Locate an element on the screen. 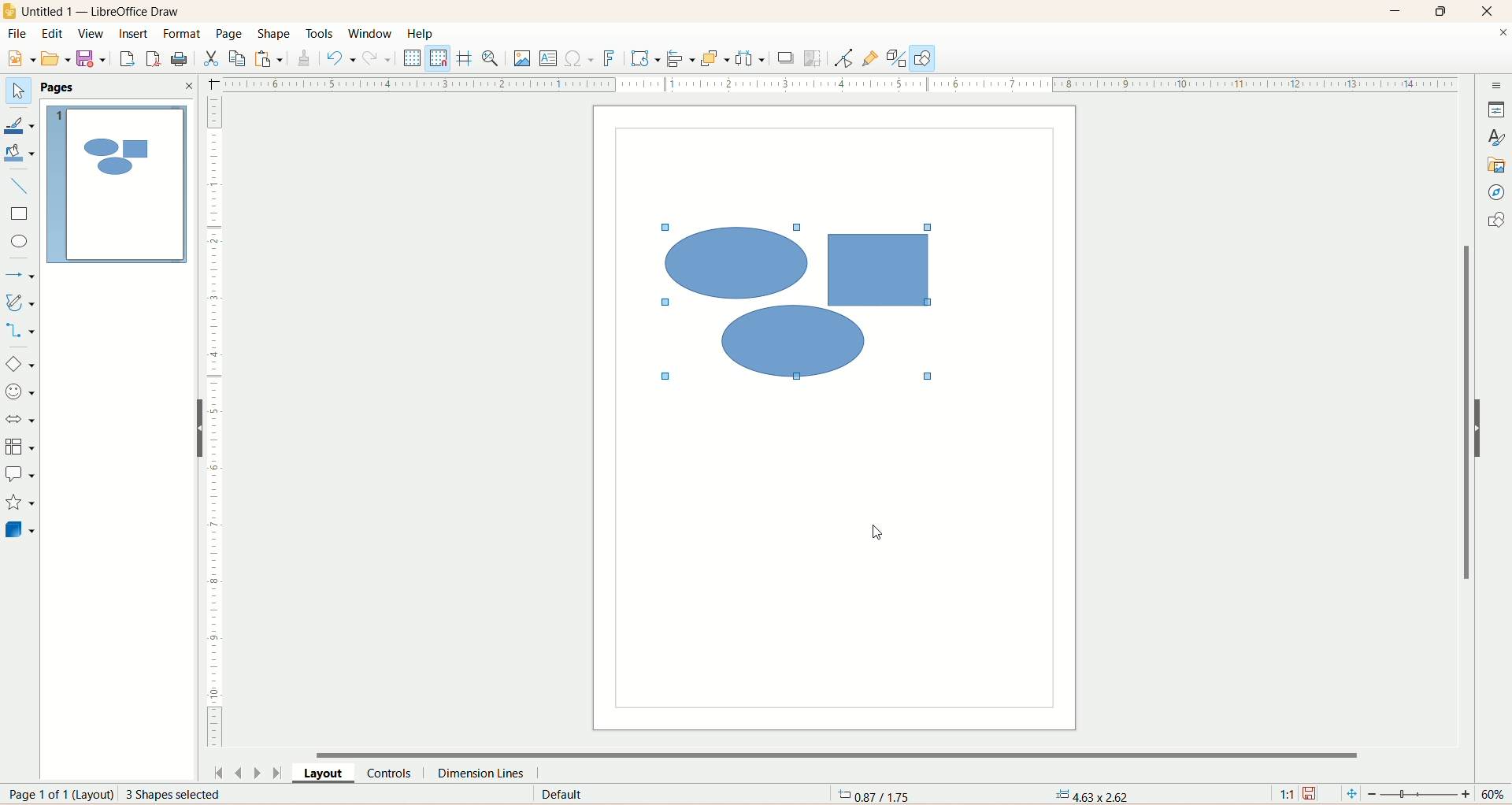 This screenshot has width=1512, height=805. connector is located at coordinates (19, 331).